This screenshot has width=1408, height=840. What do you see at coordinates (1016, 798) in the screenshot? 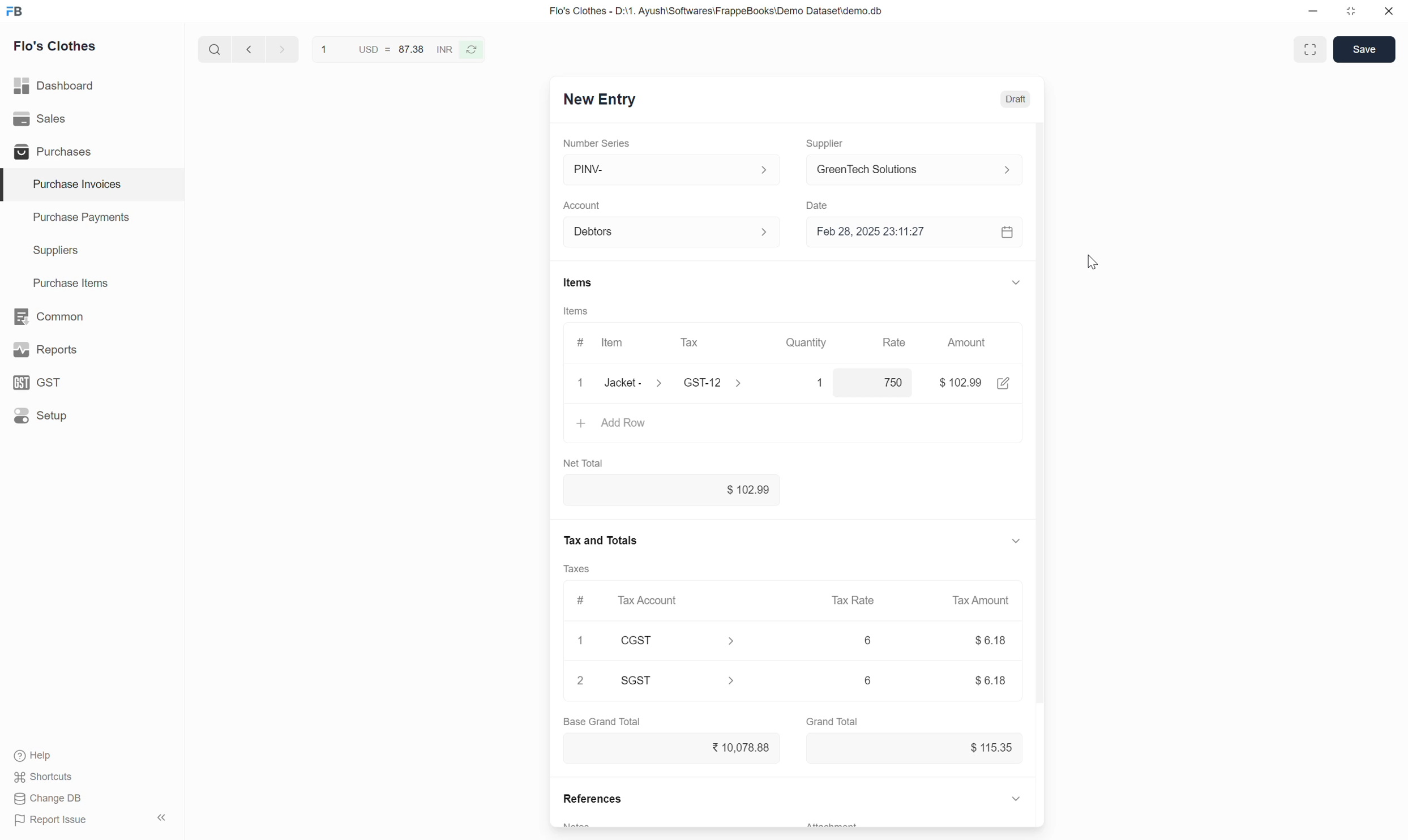
I see `Collapse` at bounding box center [1016, 798].